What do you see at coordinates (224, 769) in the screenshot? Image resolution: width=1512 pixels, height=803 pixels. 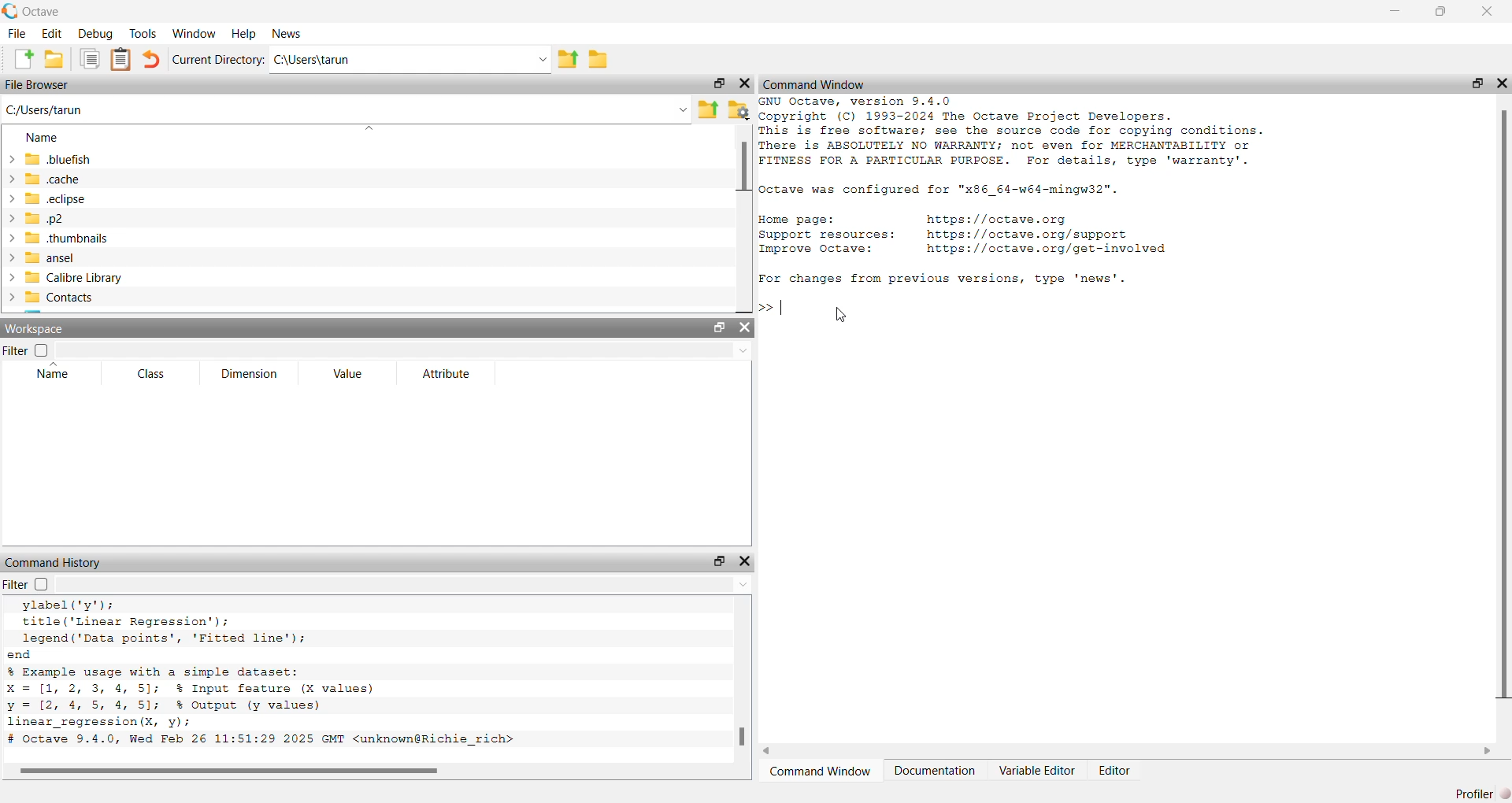 I see `scrollbar` at bounding box center [224, 769].